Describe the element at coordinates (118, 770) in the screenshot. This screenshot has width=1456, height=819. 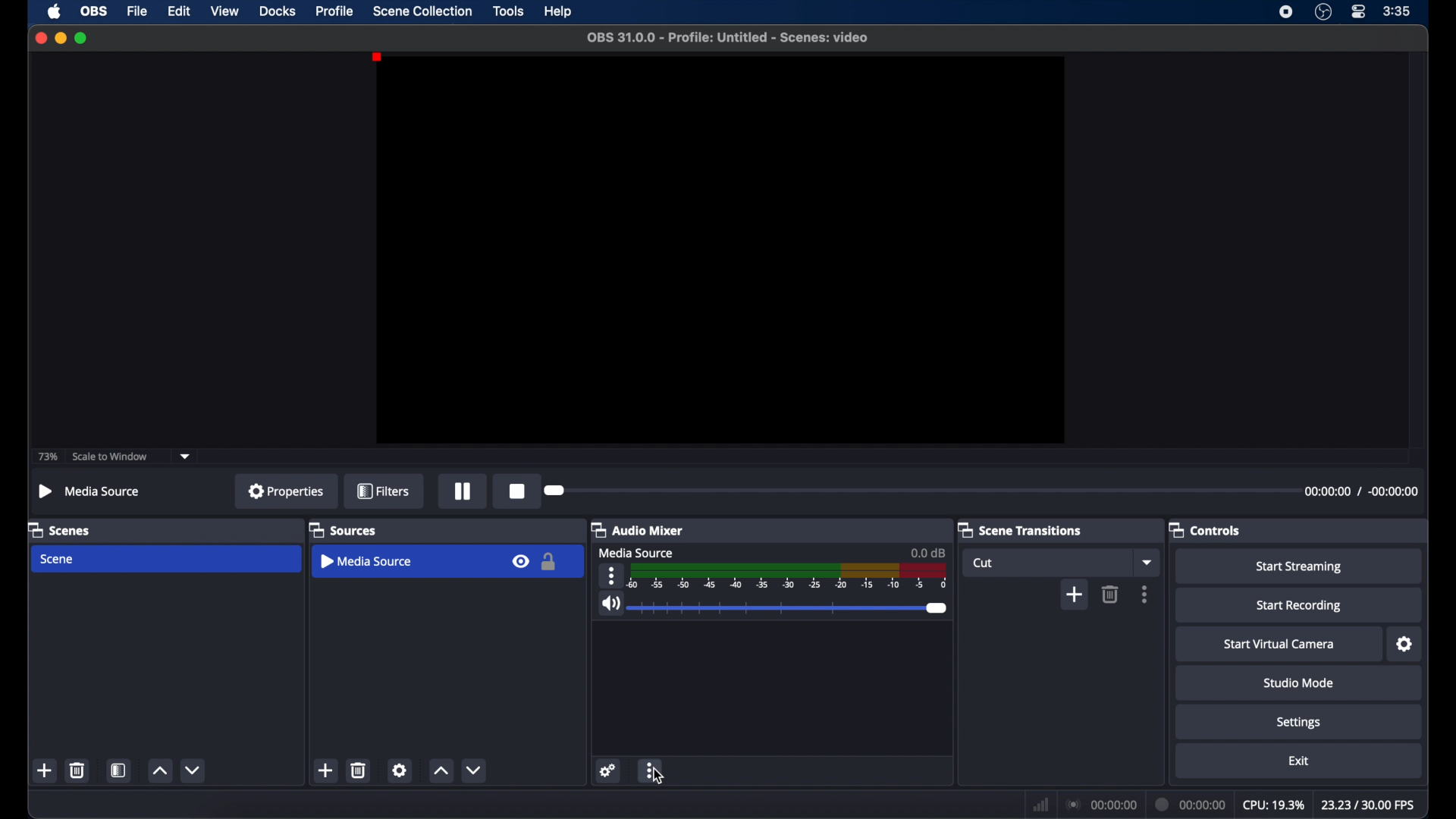
I see `scene filters` at that location.